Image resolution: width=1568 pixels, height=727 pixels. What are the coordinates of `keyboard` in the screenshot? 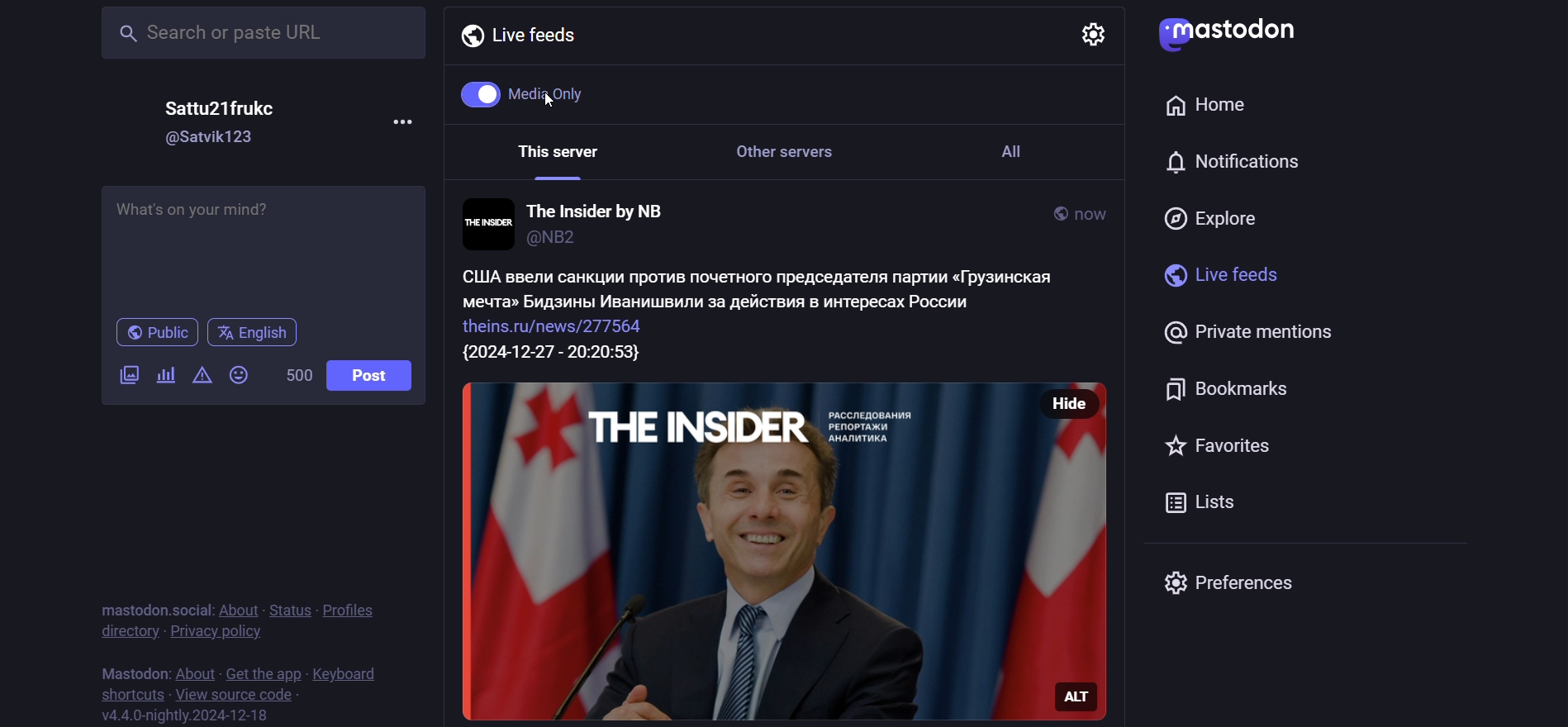 It's located at (346, 672).